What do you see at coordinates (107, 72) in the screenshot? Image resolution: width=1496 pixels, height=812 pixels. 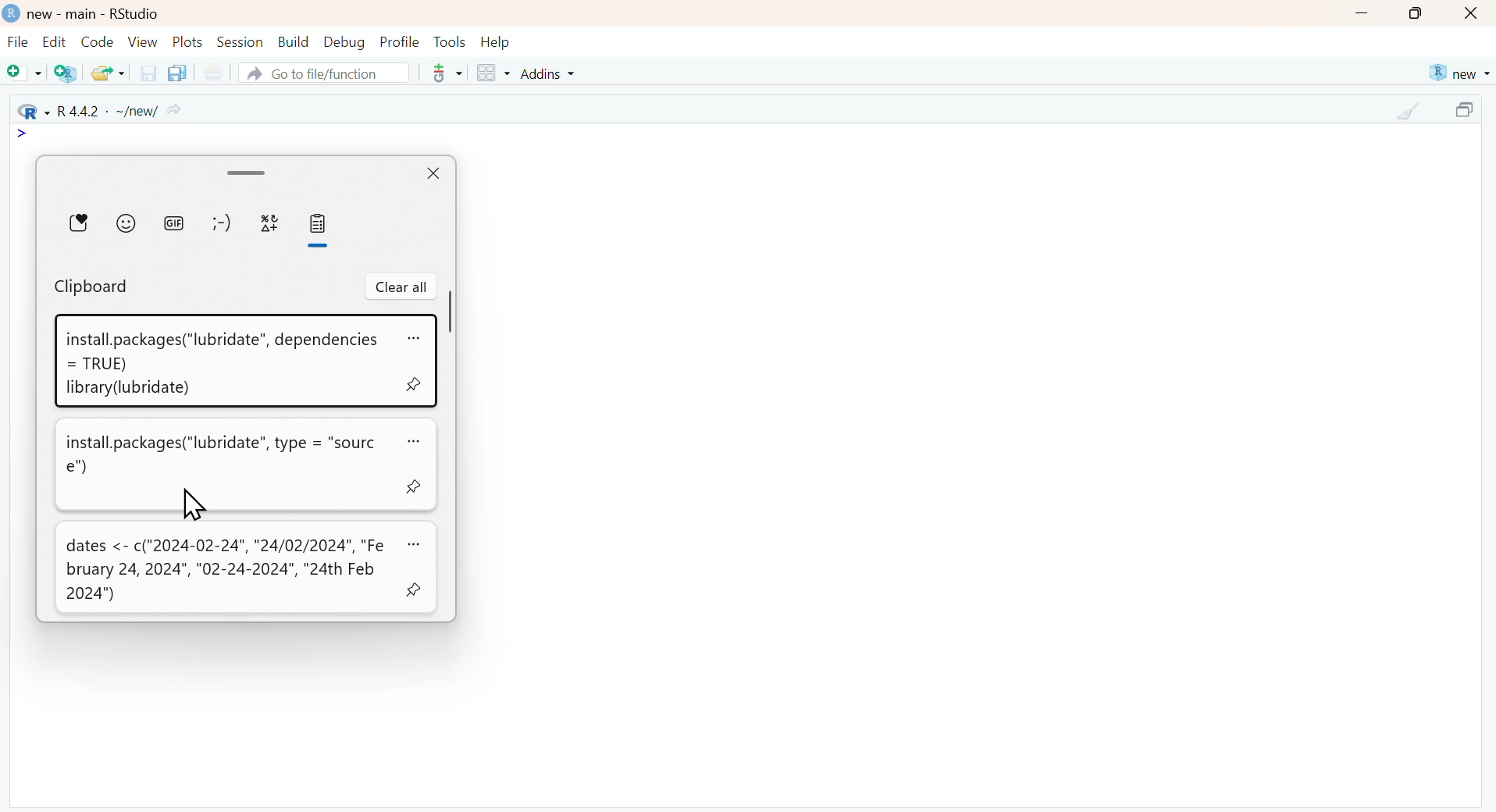 I see `open an existing file` at bounding box center [107, 72].